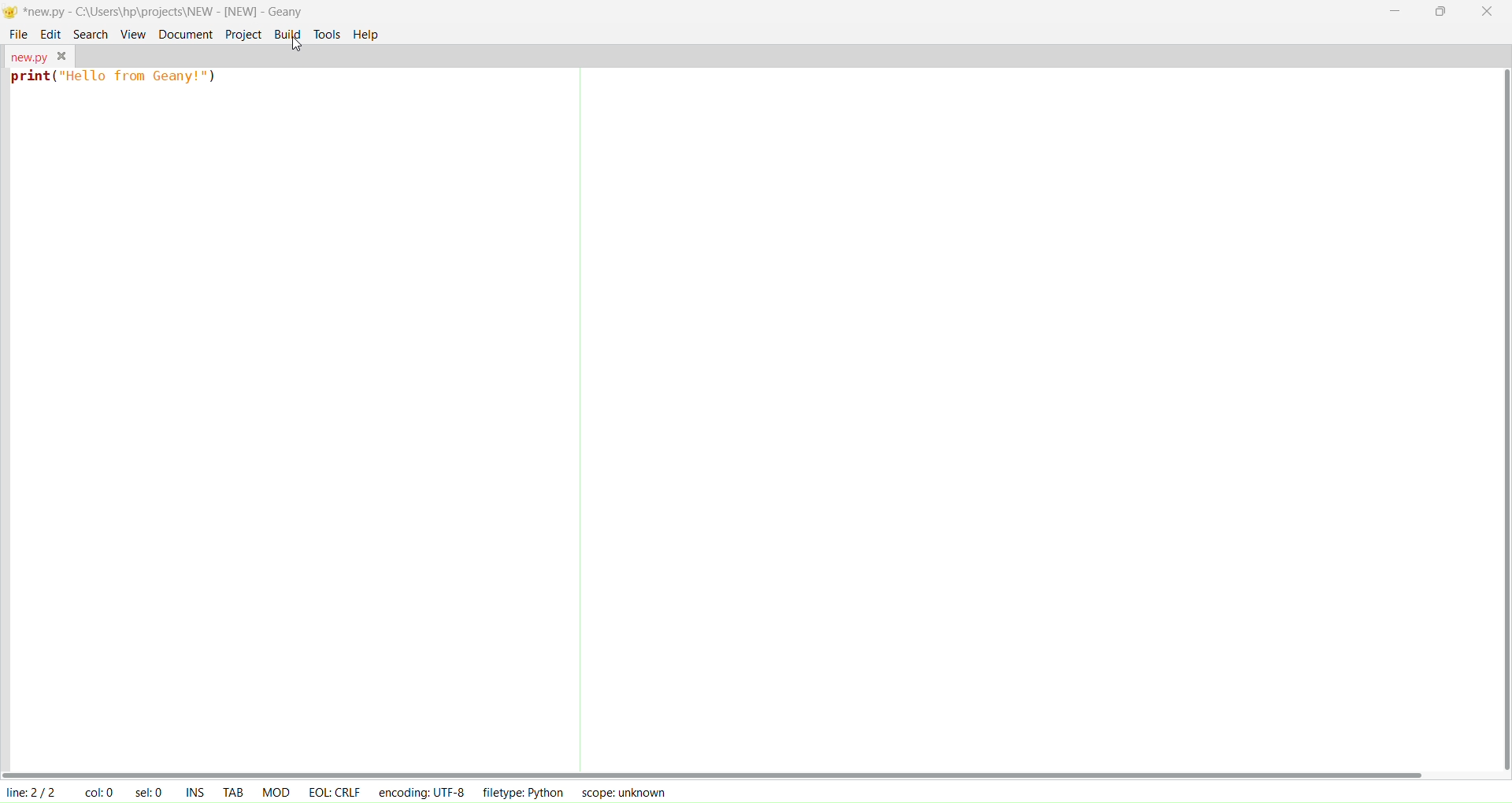 The width and height of the screenshot is (1512, 803). What do you see at coordinates (335, 790) in the screenshot?
I see `EOL CRLF` at bounding box center [335, 790].